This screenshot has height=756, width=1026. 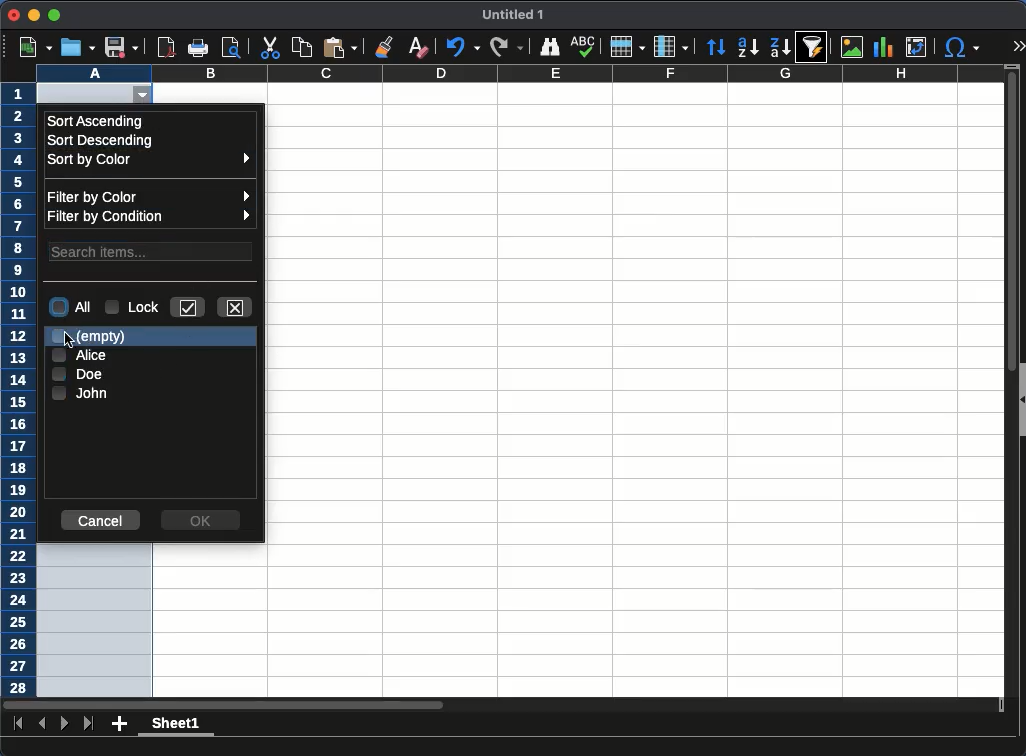 I want to click on empty, so click(x=92, y=338).